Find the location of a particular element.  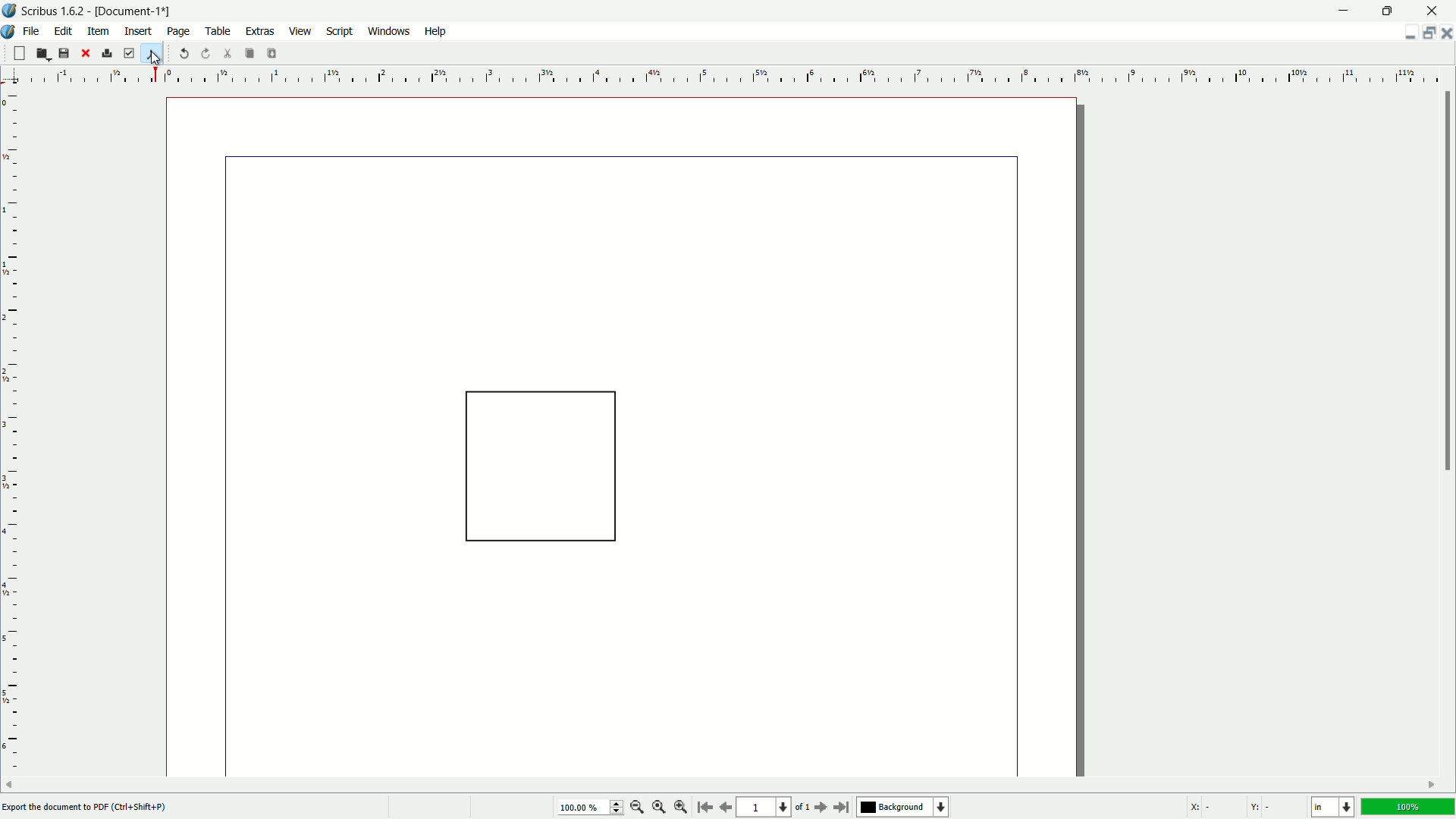

undo is located at coordinates (184, 53).